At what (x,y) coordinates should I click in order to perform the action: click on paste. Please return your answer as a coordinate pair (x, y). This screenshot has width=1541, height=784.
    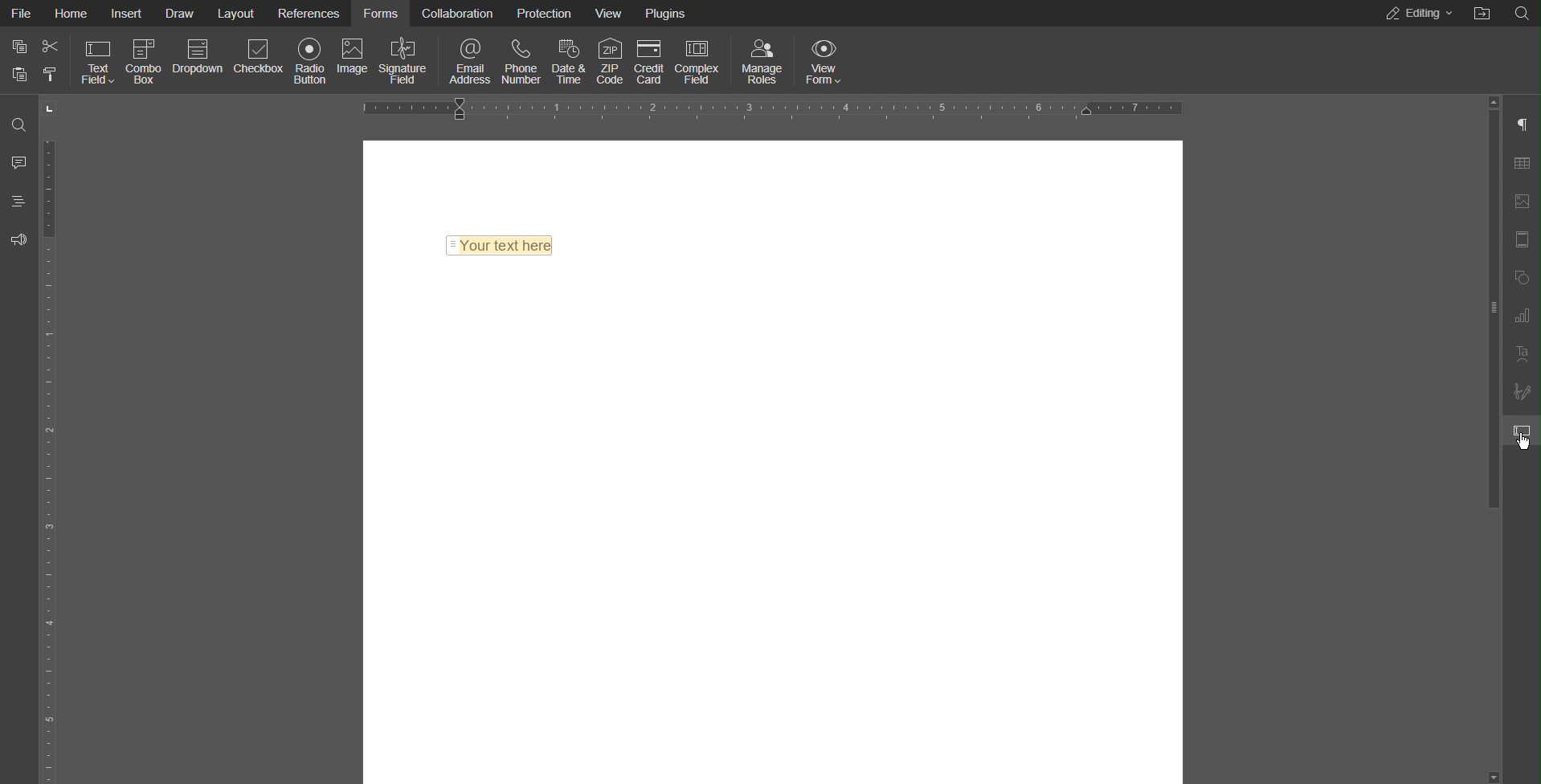
    Looking at the image, I should click on (21, 75).